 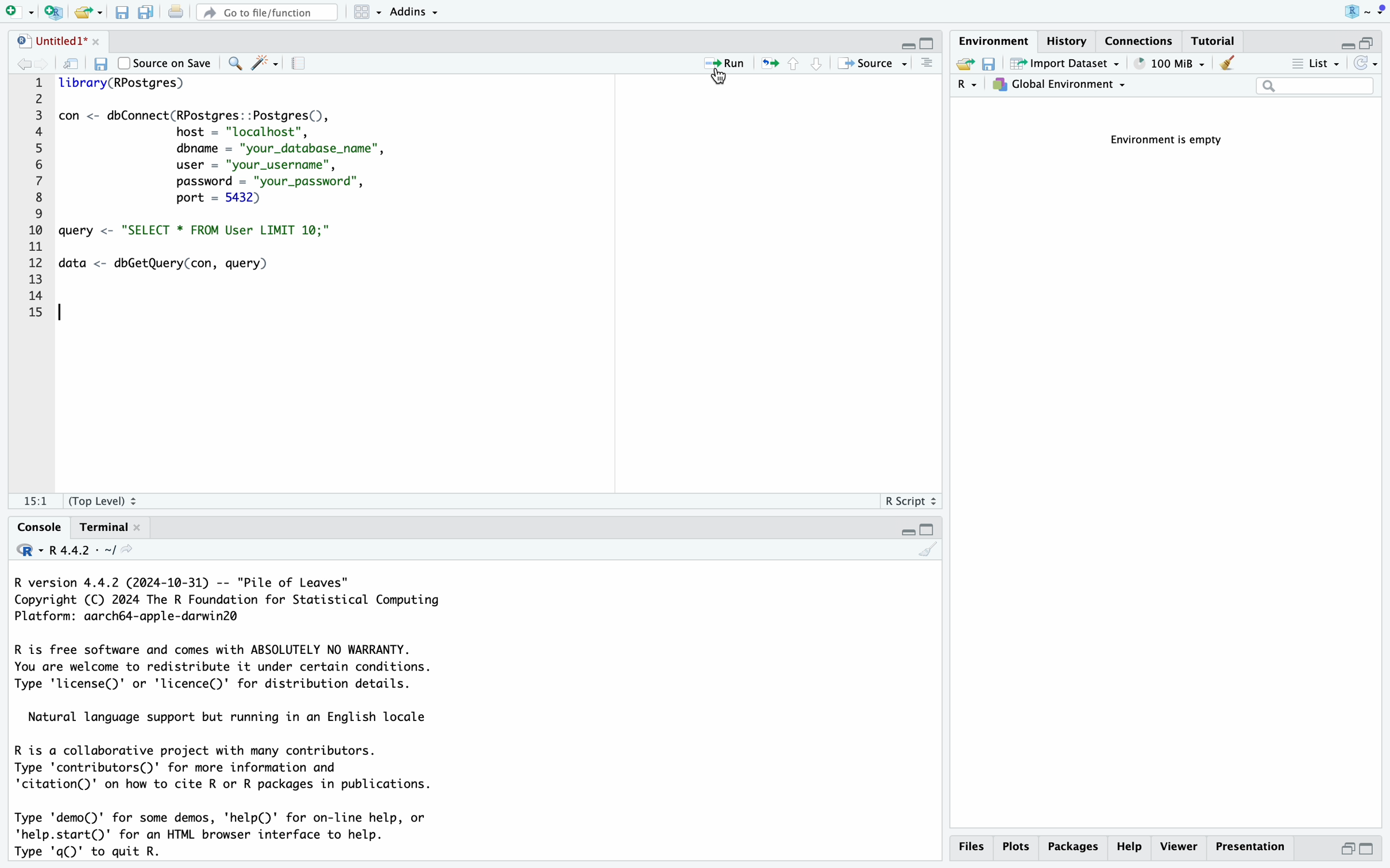 What do you see at coordinates (1342, 11) in the screenshot?
I see `R logo` at bounding box center [1342, 11].